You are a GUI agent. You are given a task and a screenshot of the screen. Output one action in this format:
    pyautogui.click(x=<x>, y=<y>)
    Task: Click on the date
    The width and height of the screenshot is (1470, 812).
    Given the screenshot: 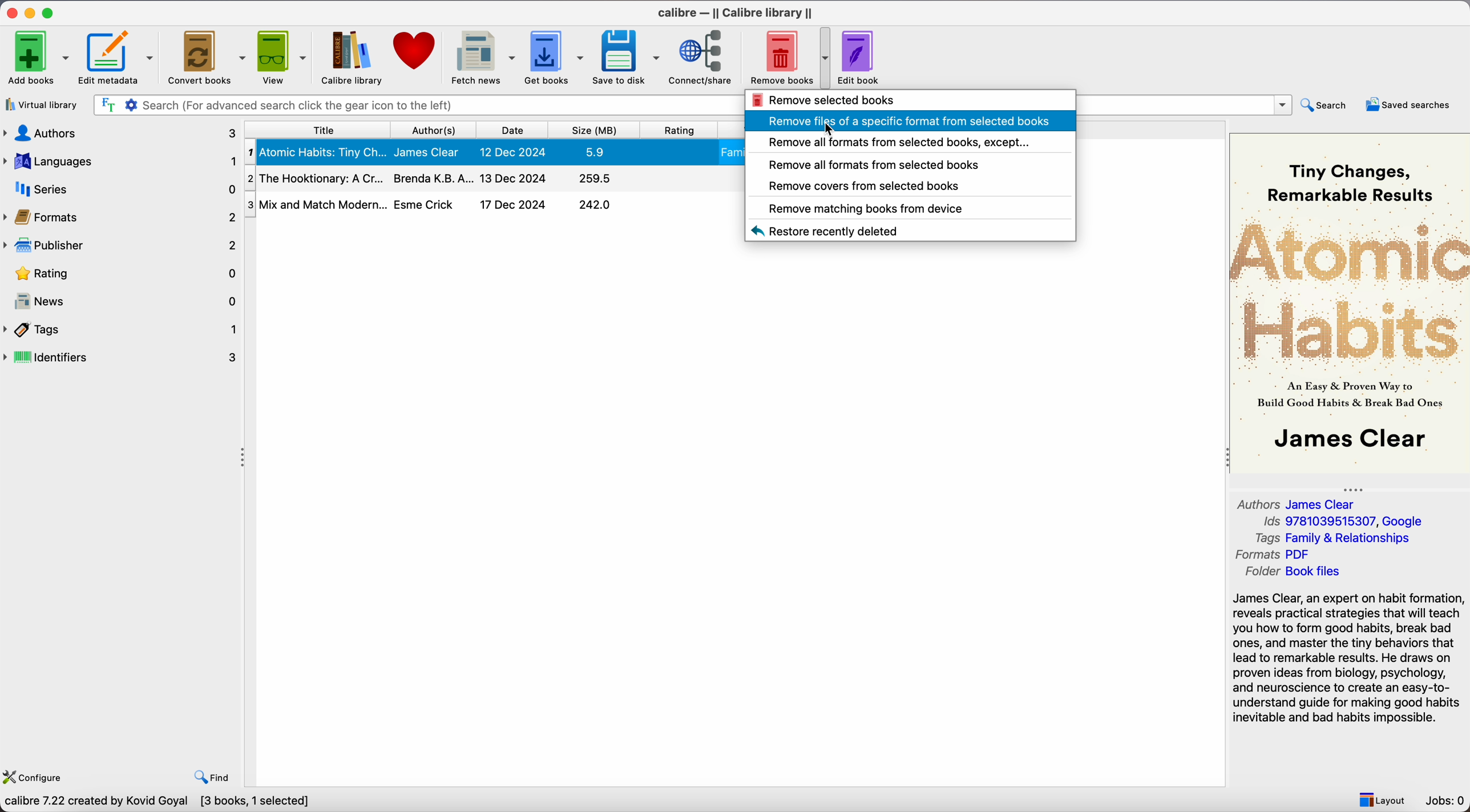 What is the action you would take?
    pyautogui.click(x=516, y=130)
    